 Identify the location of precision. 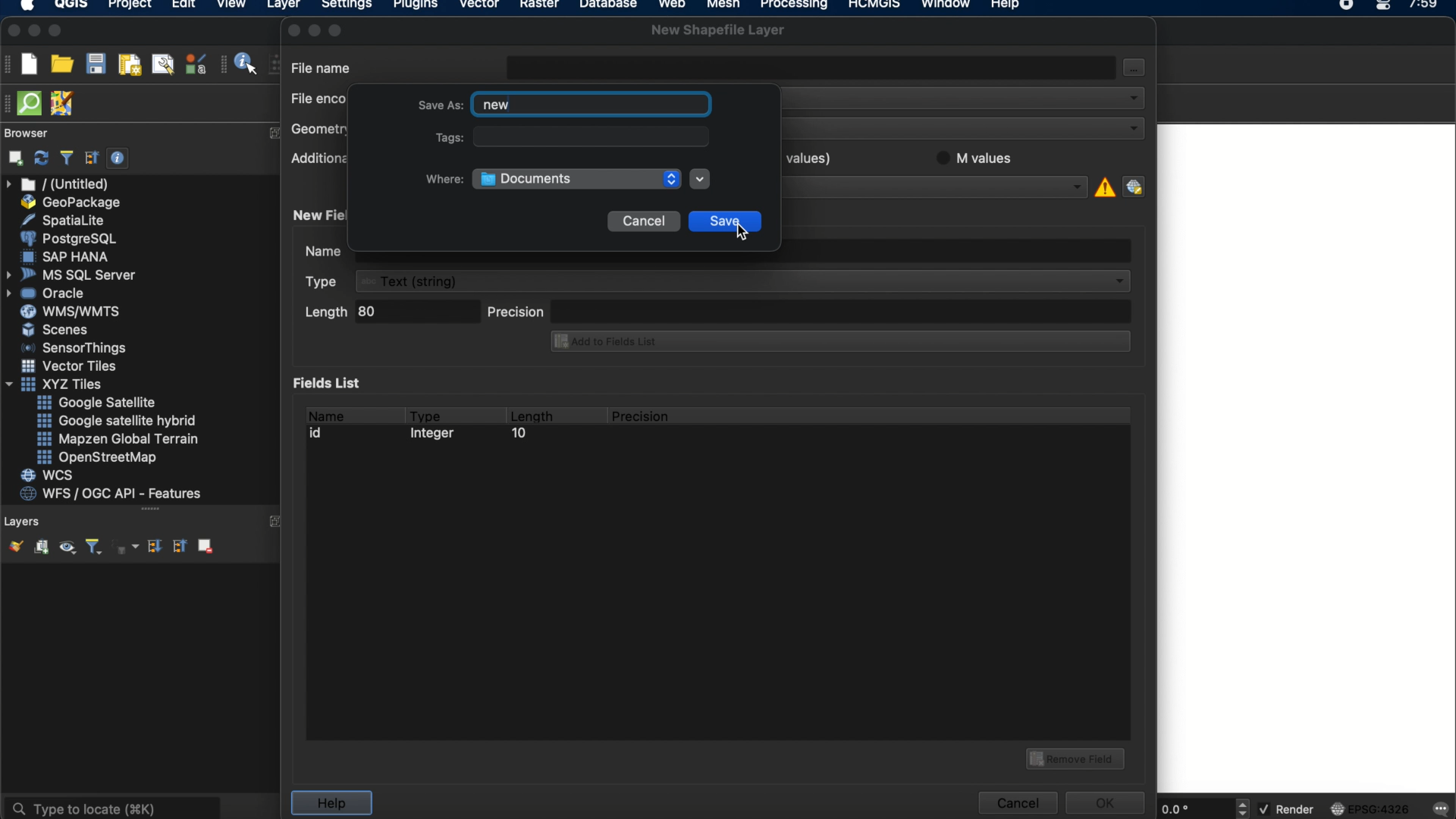
(809, 310).